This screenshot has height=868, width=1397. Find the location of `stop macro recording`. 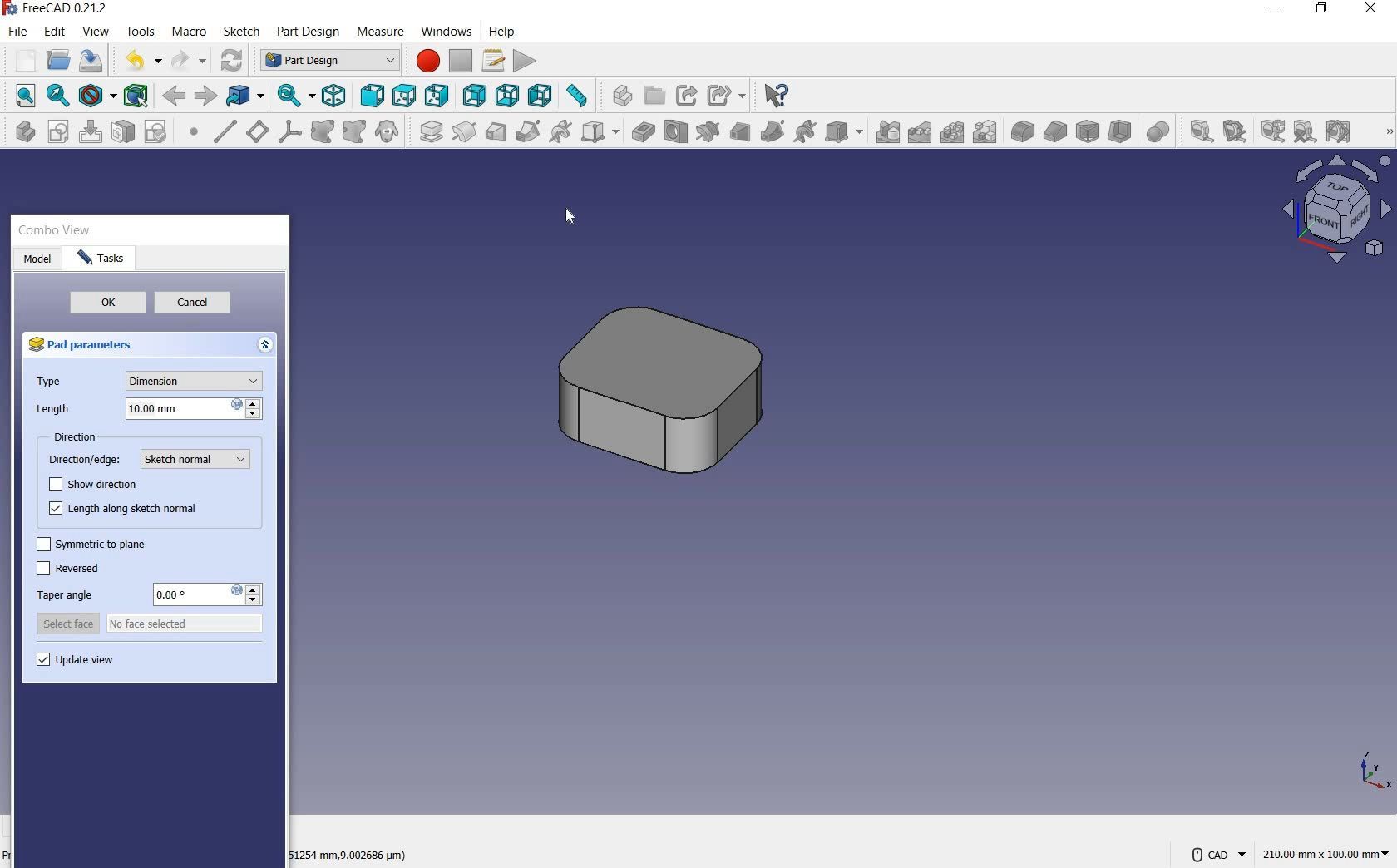

stop macro recording is located at coordinates (462, 62).